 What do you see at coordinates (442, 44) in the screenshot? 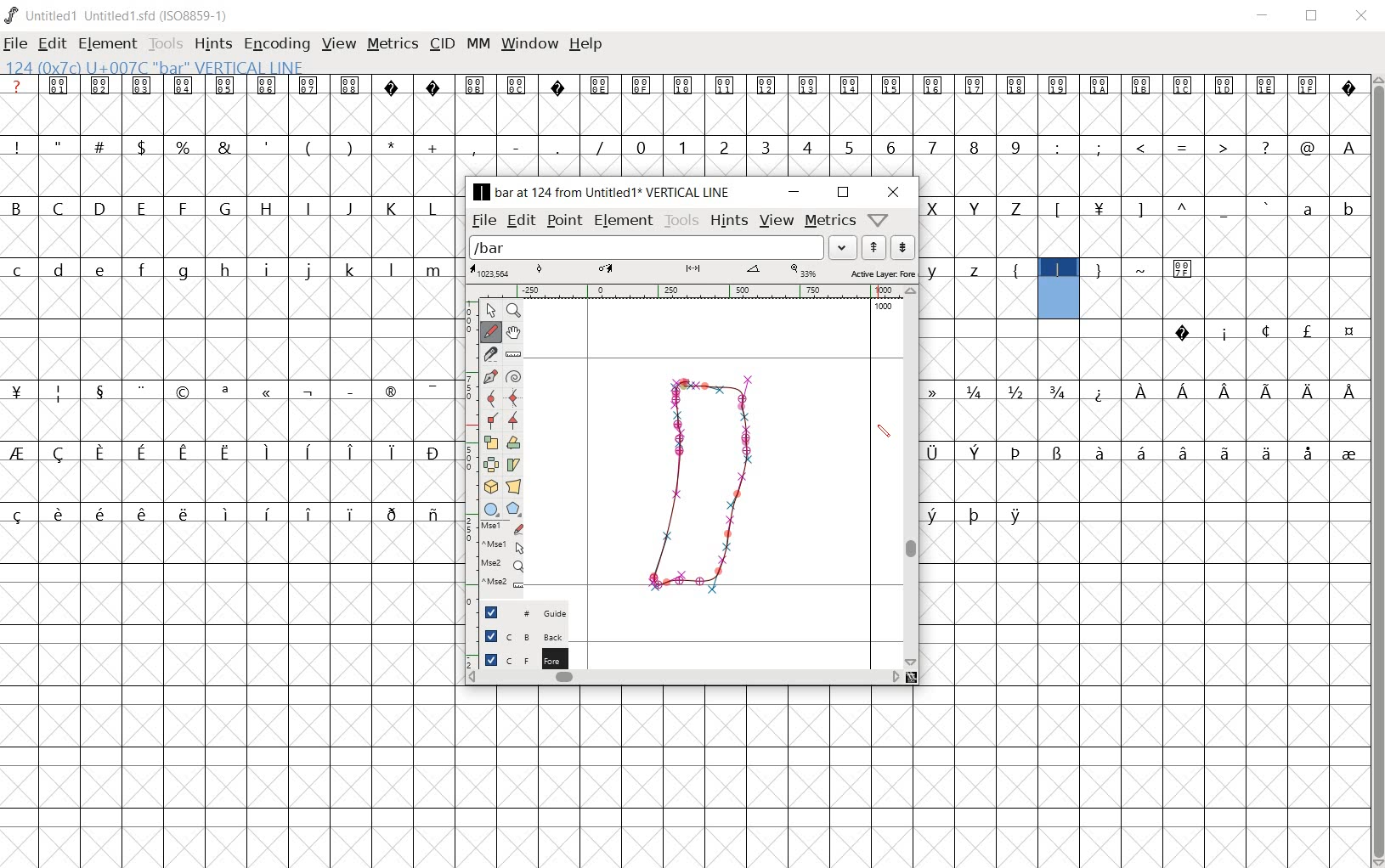
I see `cid` at bounding box center [442, 44].